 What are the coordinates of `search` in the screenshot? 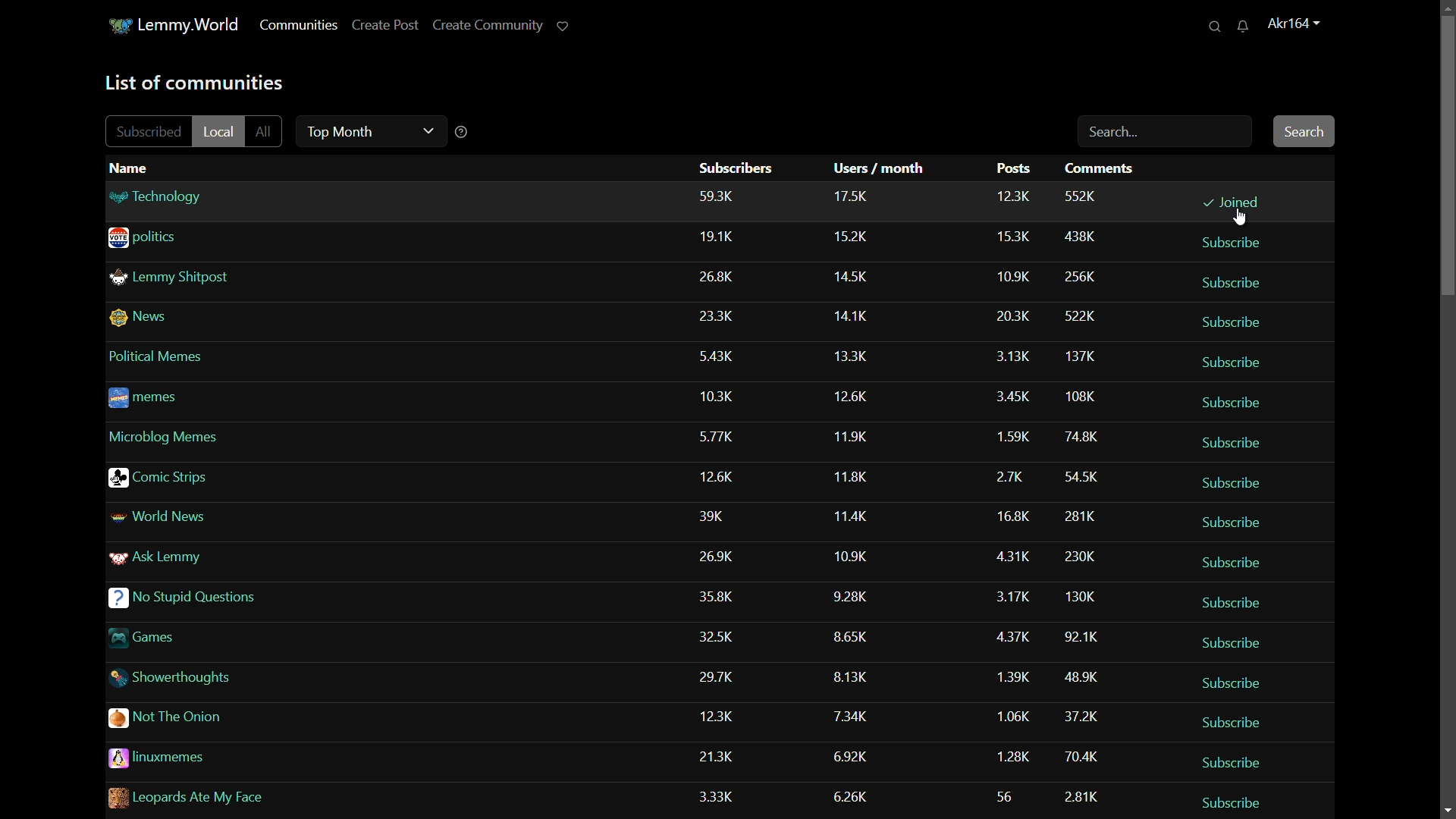 It's located at (1216, 27).